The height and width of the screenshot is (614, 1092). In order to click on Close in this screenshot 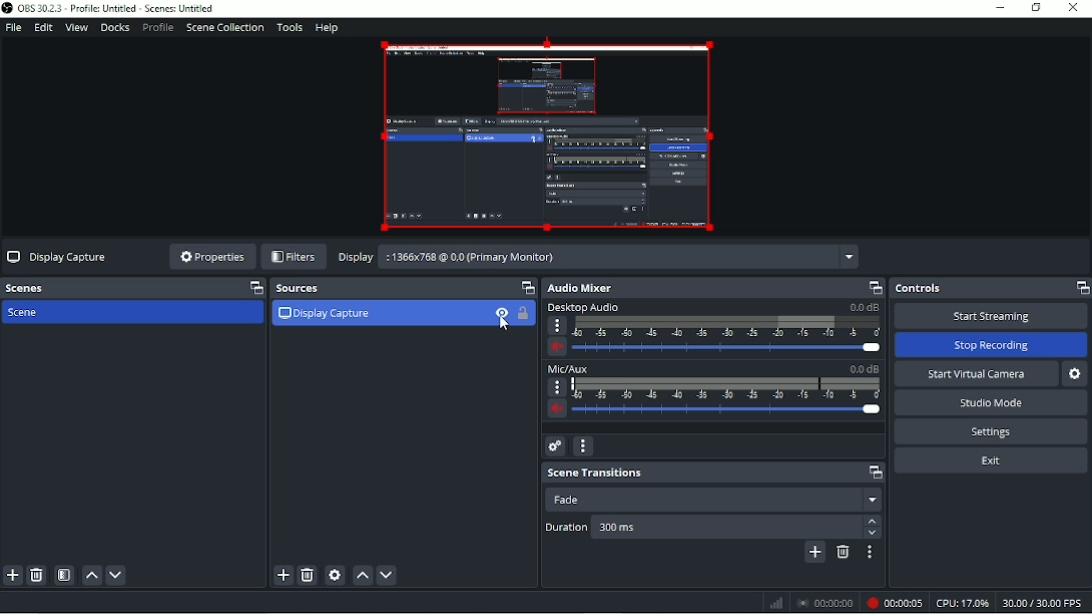, I will do `click(1093, 8)`.